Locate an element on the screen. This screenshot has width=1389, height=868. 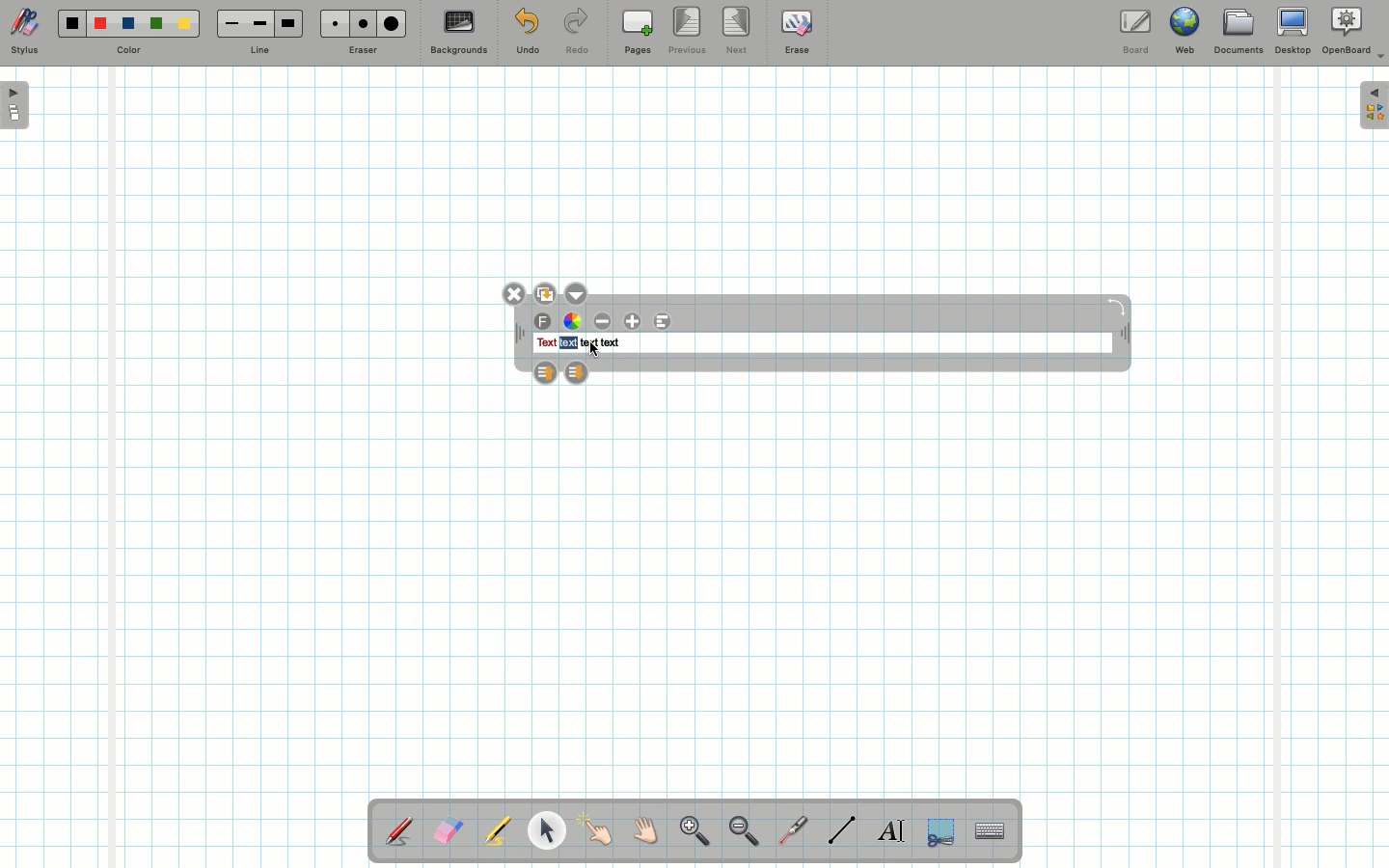
Grab is located at coordinates (646, 833).